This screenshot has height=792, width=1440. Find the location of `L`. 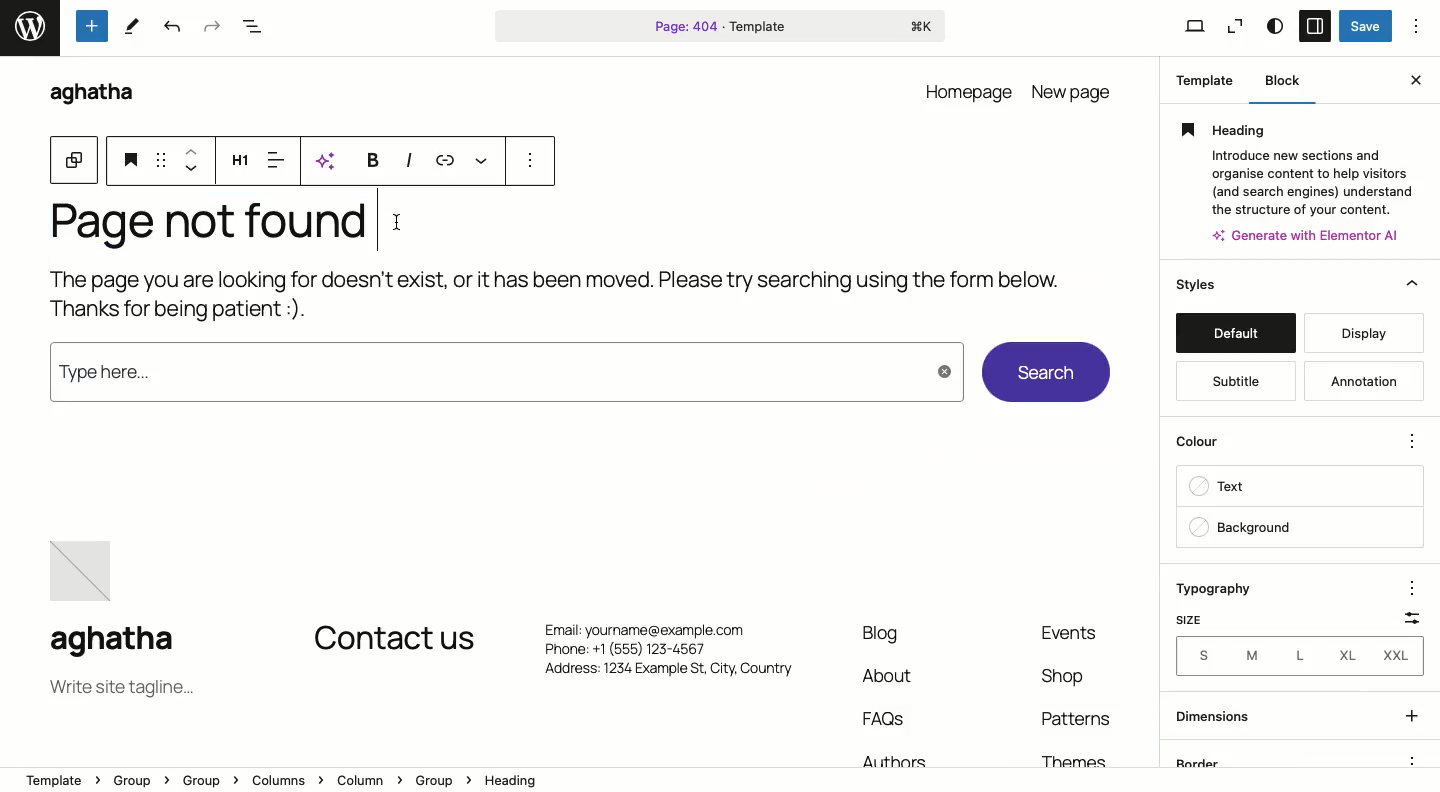

L is located at coordinates (1302, 657).